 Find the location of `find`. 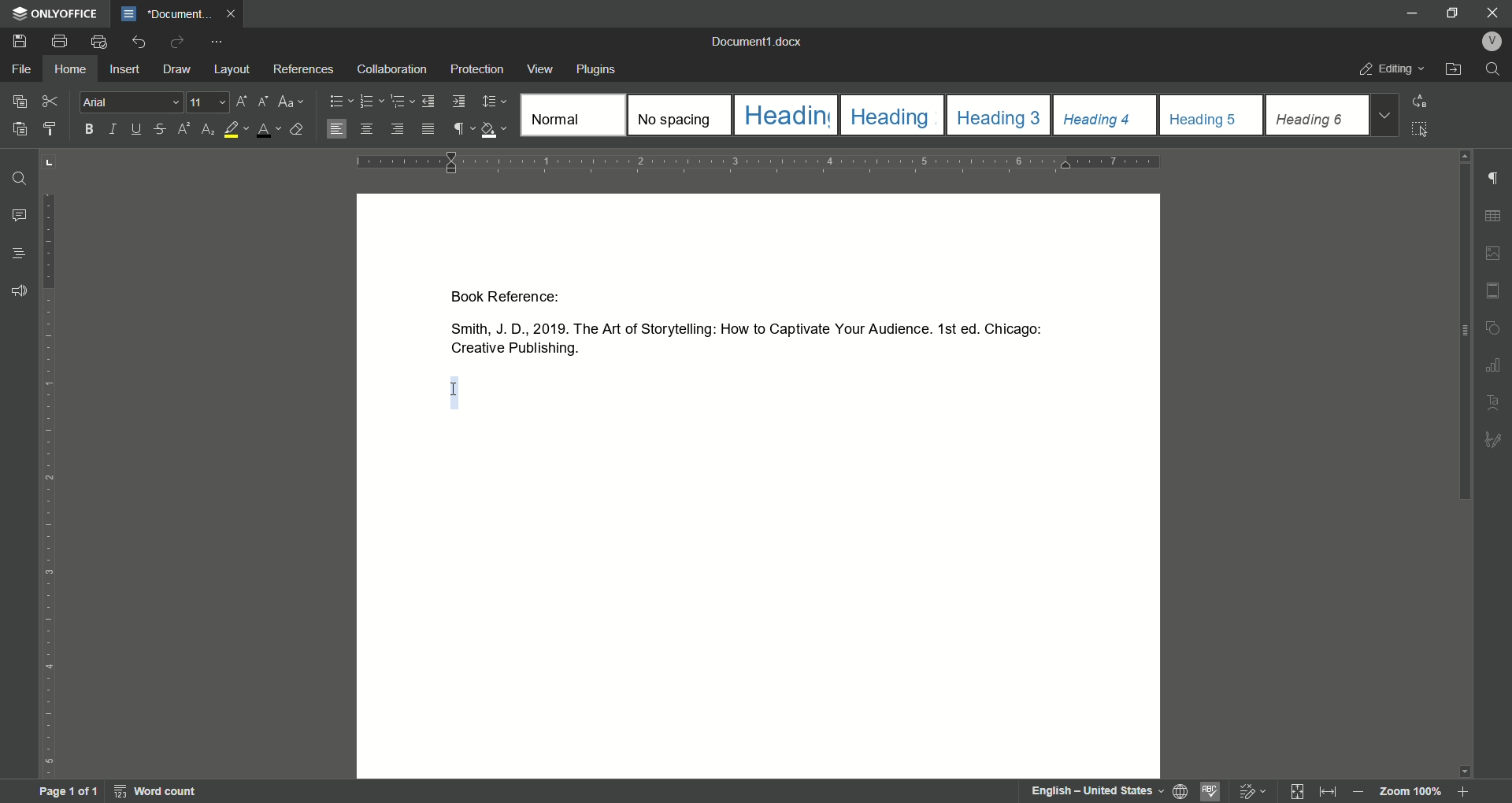

find is located at coordinates (20, 178).